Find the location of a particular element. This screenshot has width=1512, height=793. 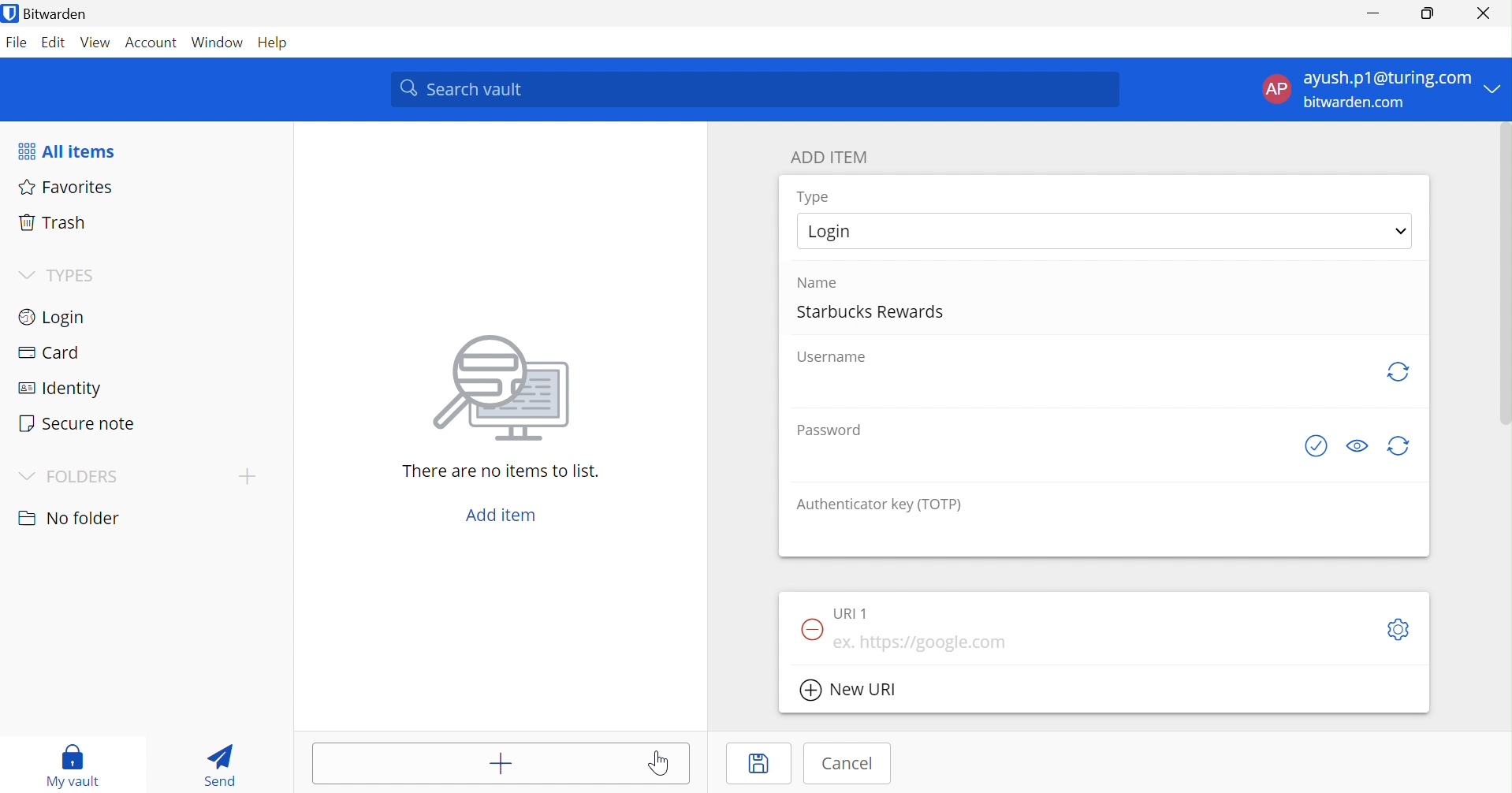

Check if password has been exposed is located at coordinates (1319, 446).